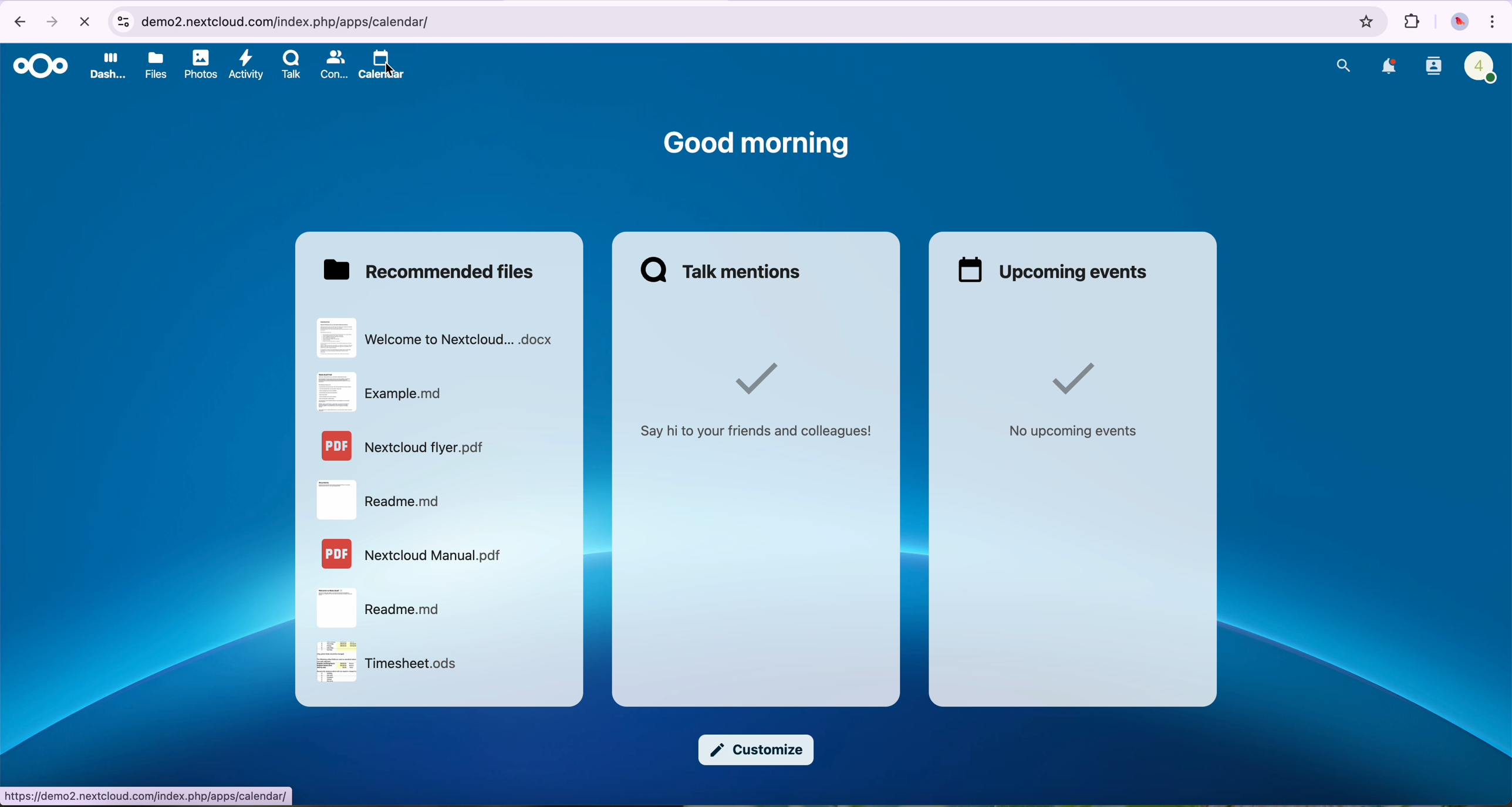 The height and width of the screenshot is (807, 1512). Describe the element at coordinates (249, 66) in the screenshot. I see `activity` at that location.